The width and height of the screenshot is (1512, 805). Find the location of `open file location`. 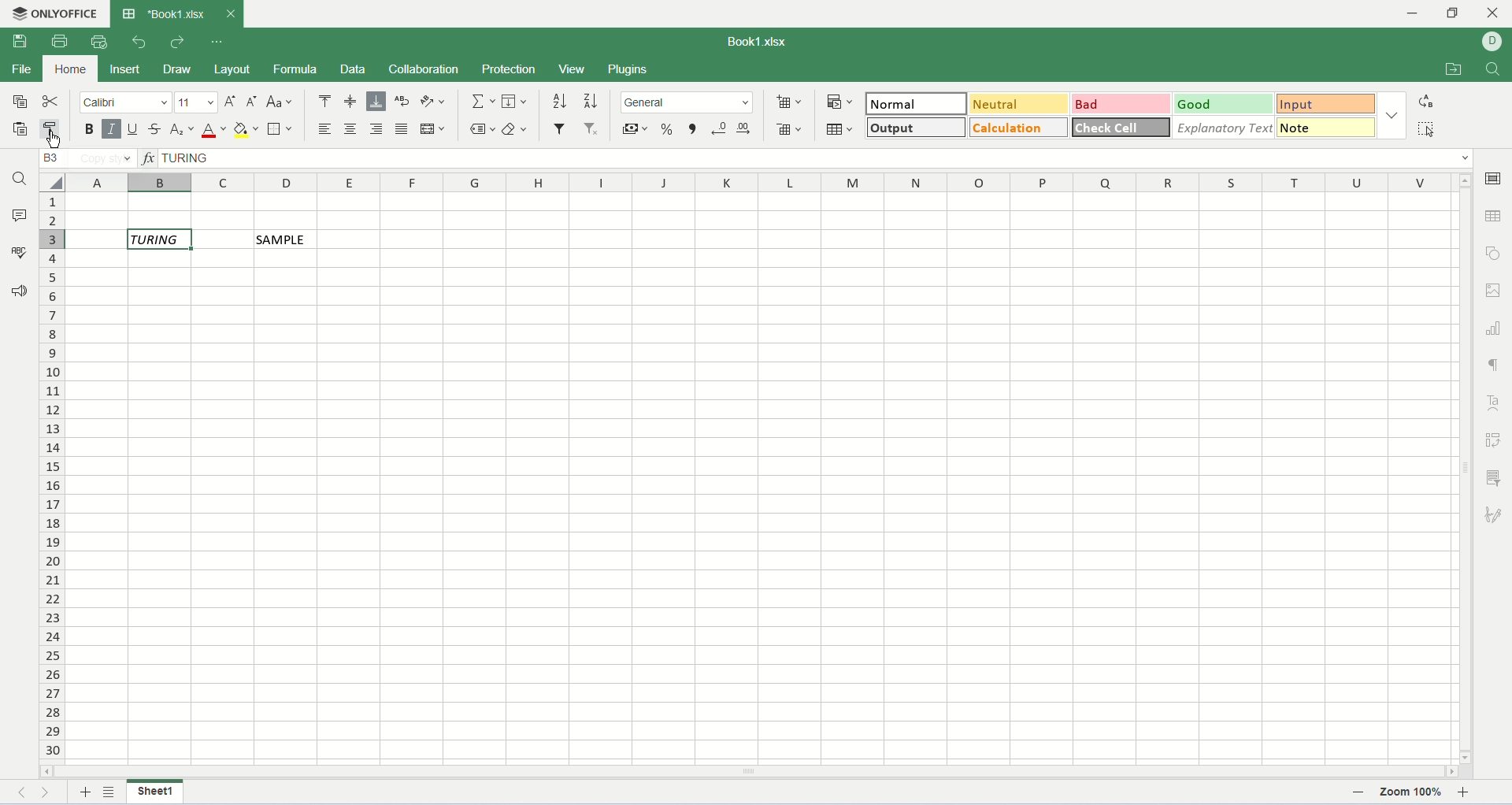

open file location is located at coordinates (1451, 69).